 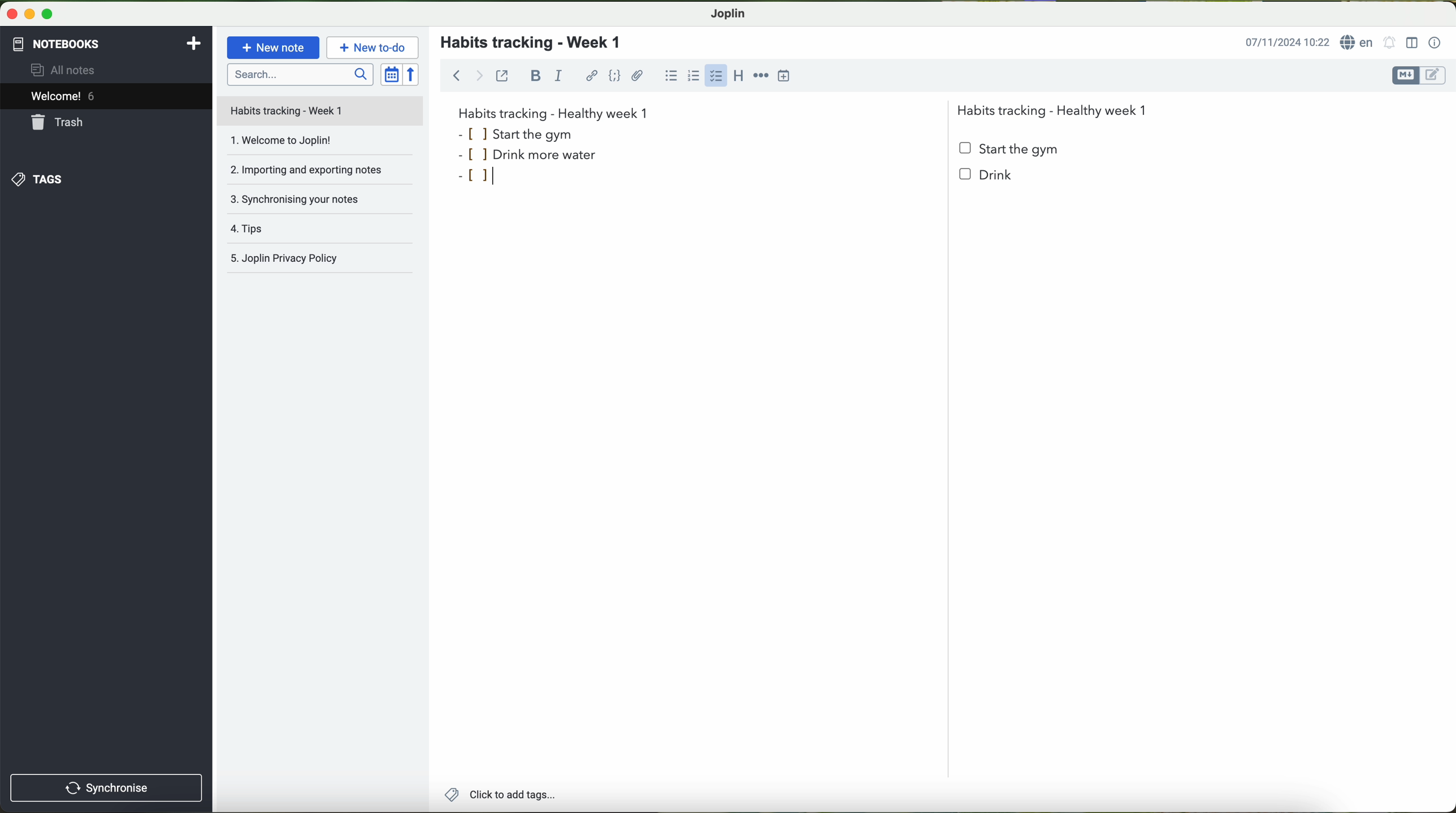 I want to click on forward, so click(x=479, y=75).